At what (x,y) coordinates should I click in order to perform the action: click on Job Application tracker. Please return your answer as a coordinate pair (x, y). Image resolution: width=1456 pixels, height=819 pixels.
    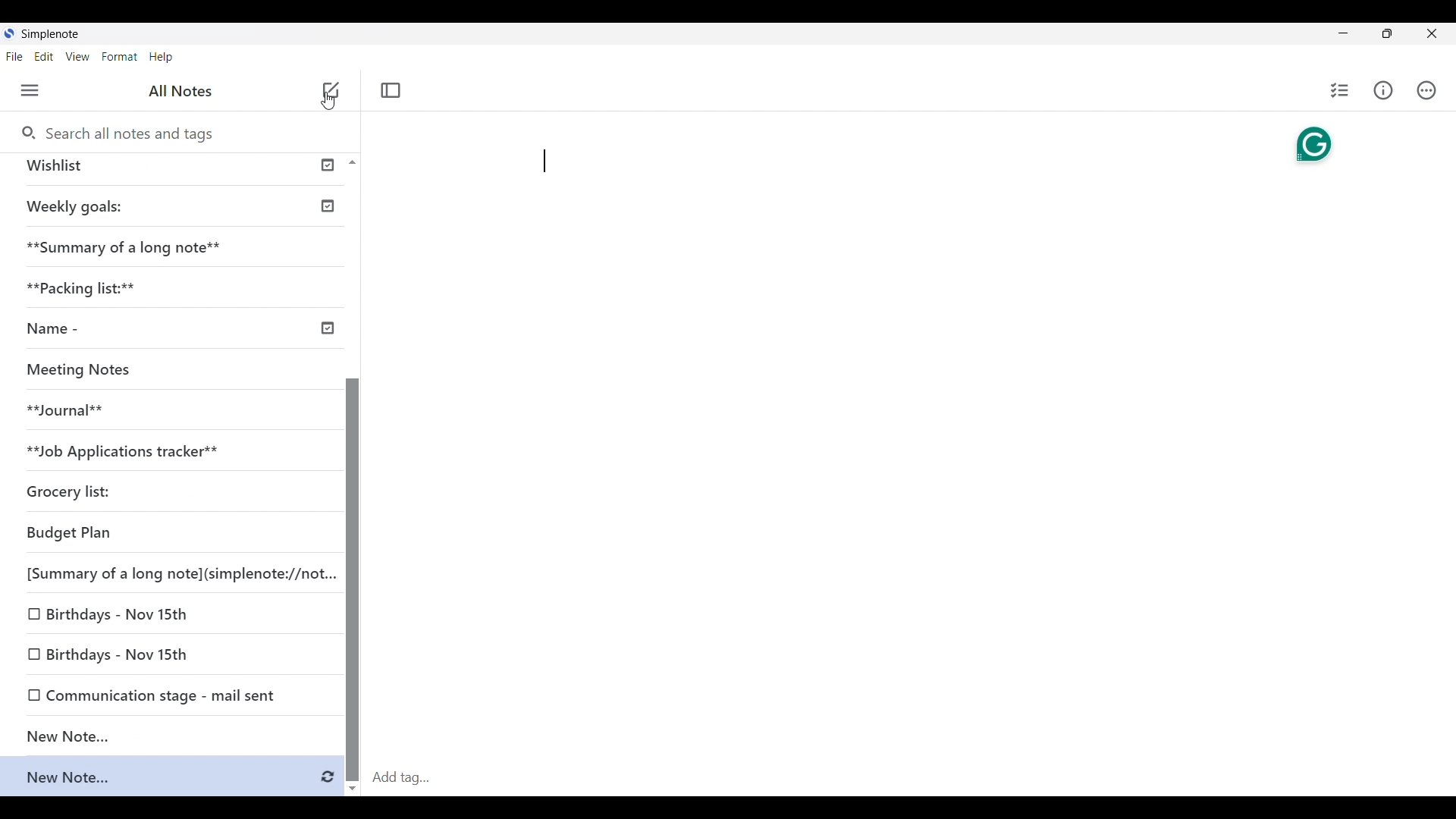
    Looking at the image, I should click on (127, 451).